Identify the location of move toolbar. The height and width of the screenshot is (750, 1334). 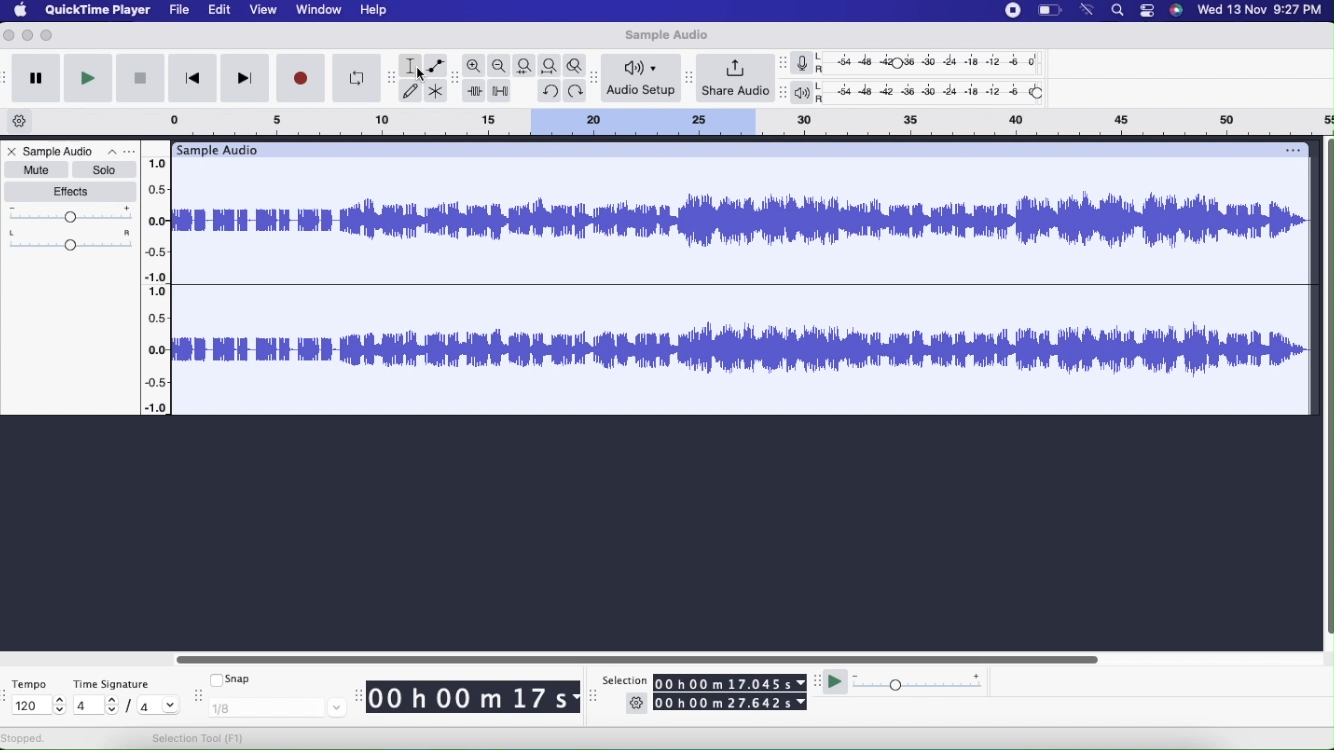
(786, 65).